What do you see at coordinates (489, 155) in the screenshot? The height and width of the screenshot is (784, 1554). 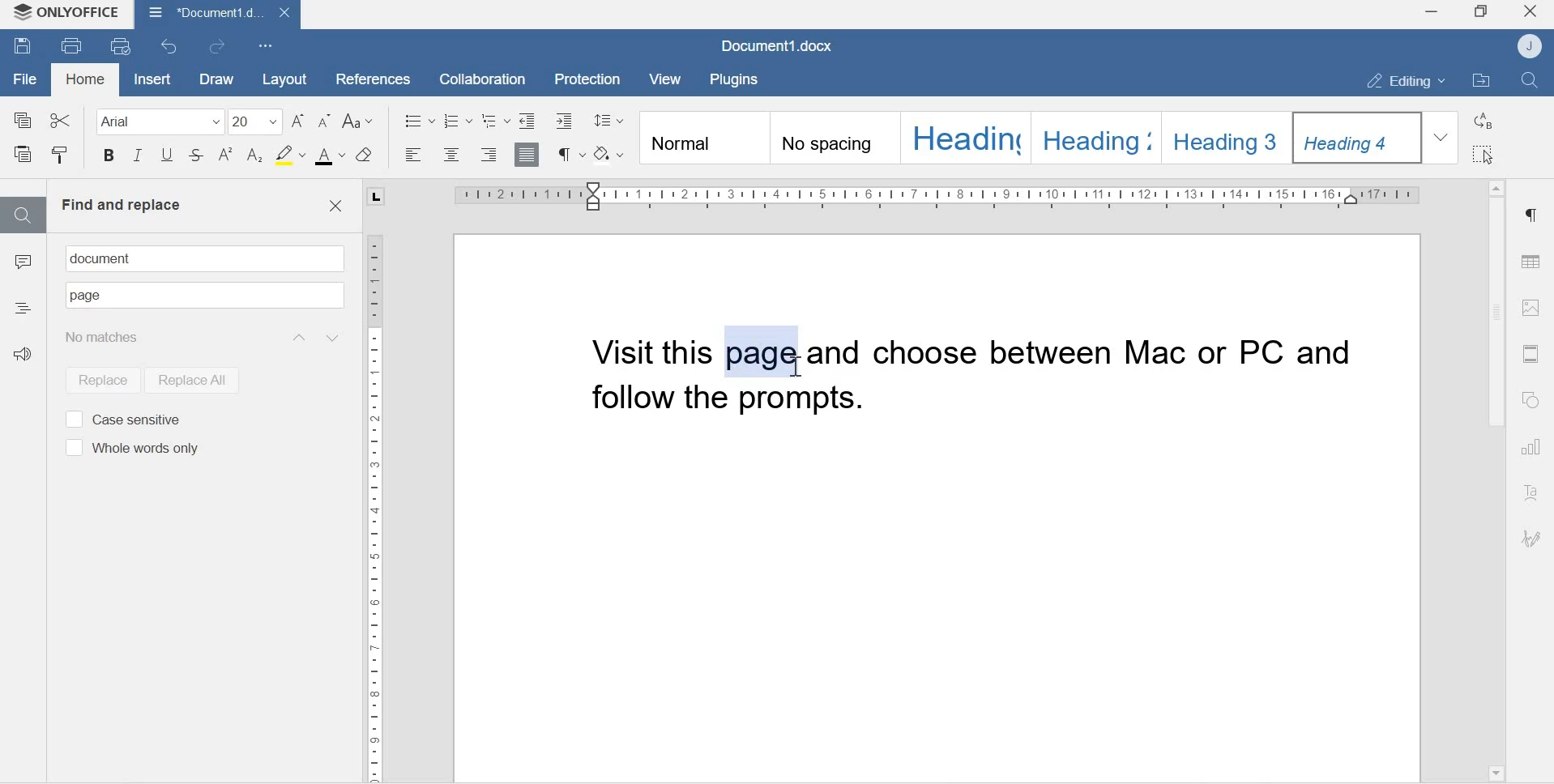 I see `Align right` at bounding box center [489, 155].